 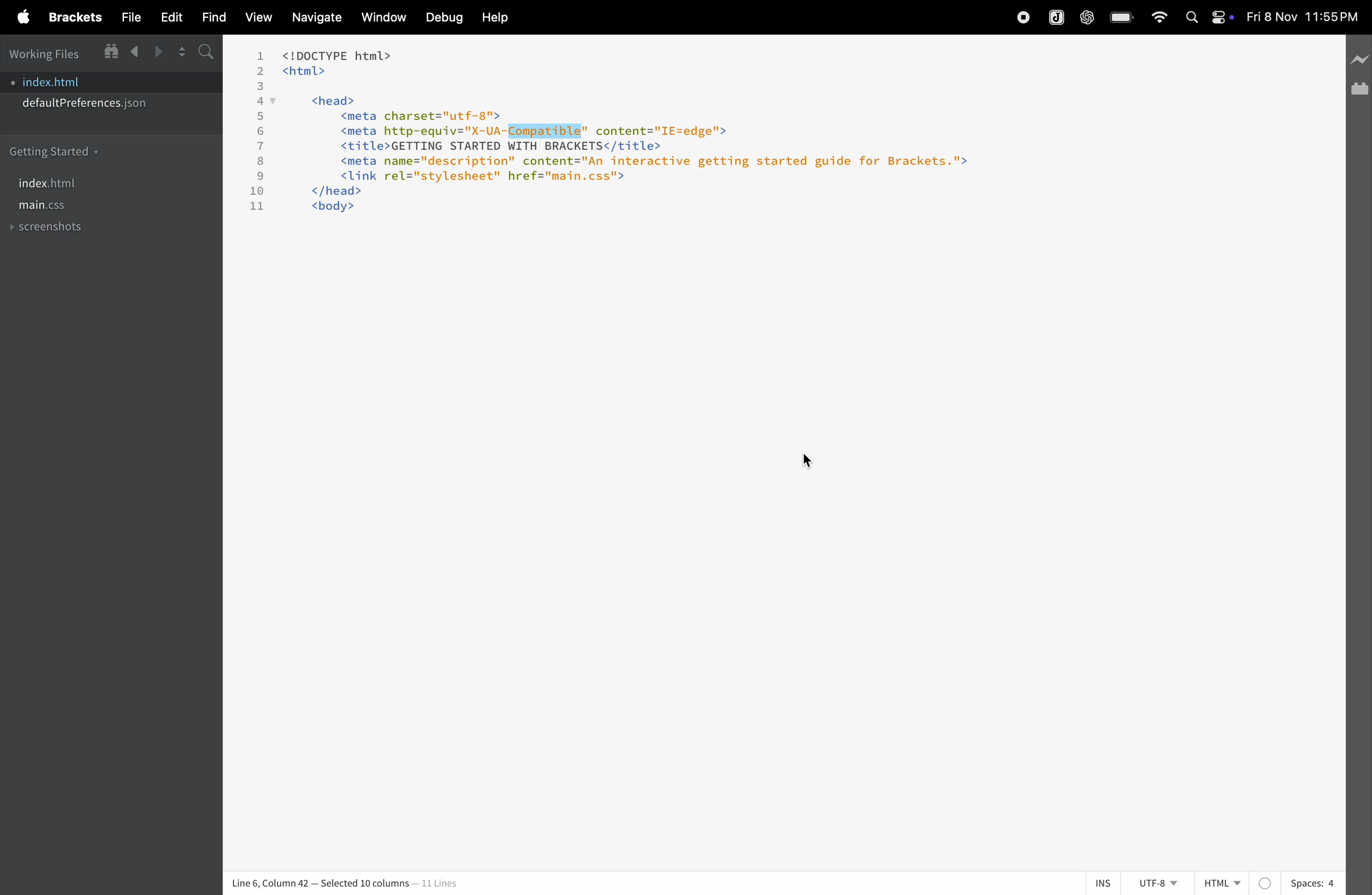 I want to click on wifi, so click(x=1159, y=18).